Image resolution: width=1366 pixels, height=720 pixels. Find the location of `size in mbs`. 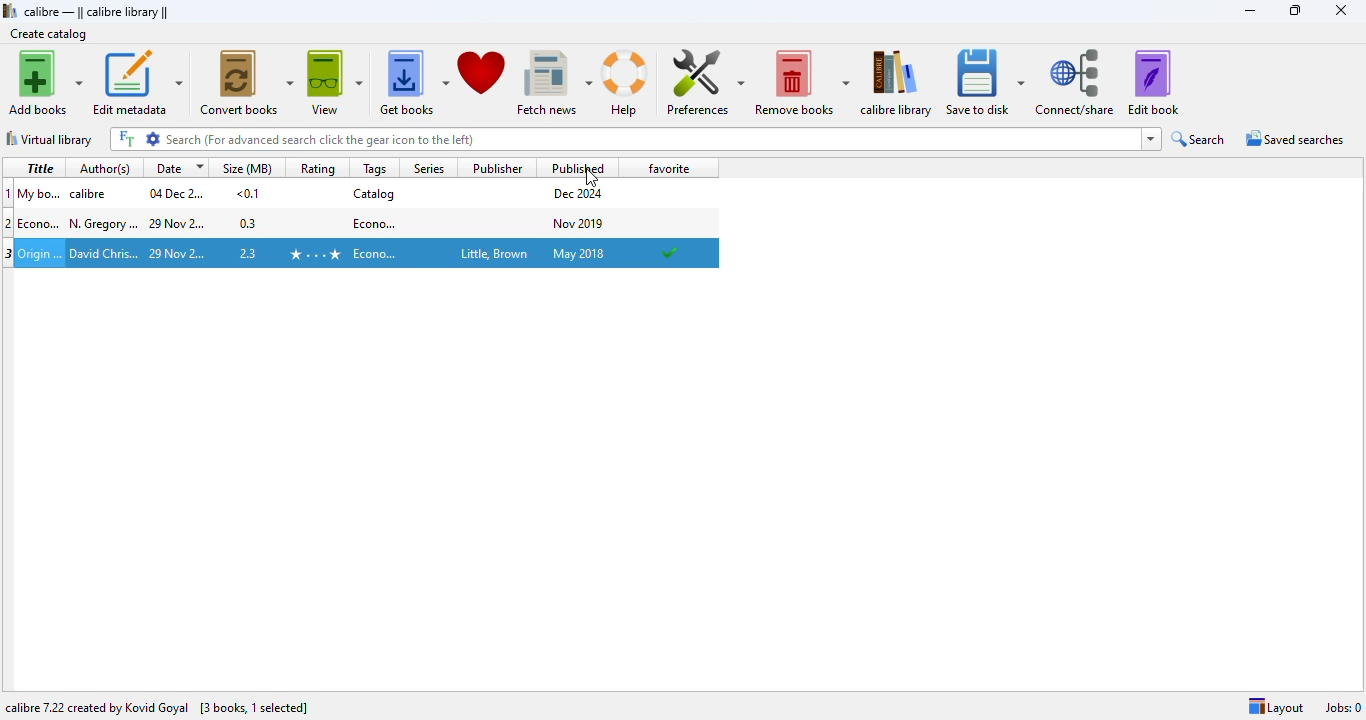

size in mbs is located at coordinates (251, 193).